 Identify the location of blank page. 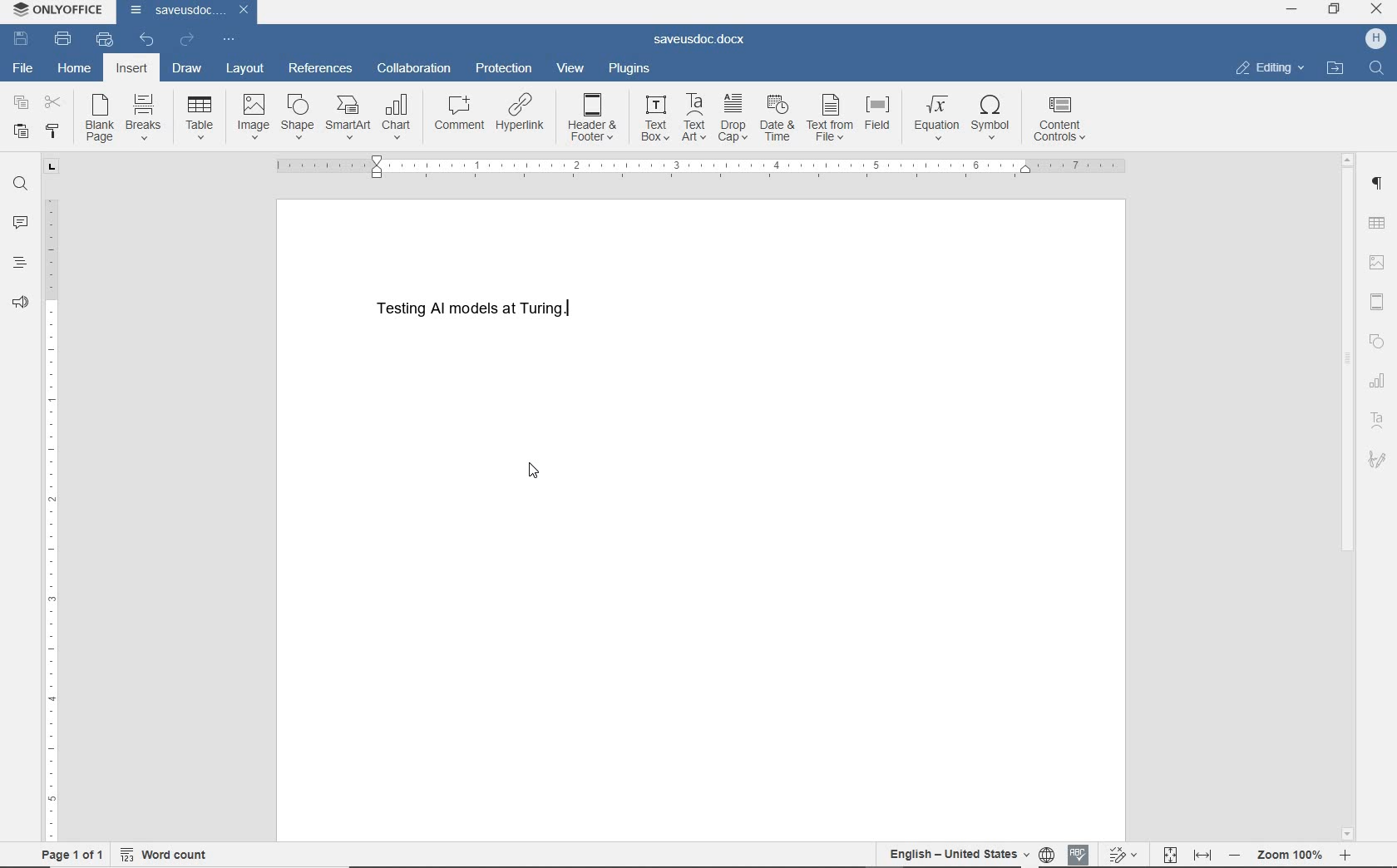
(101, 118).